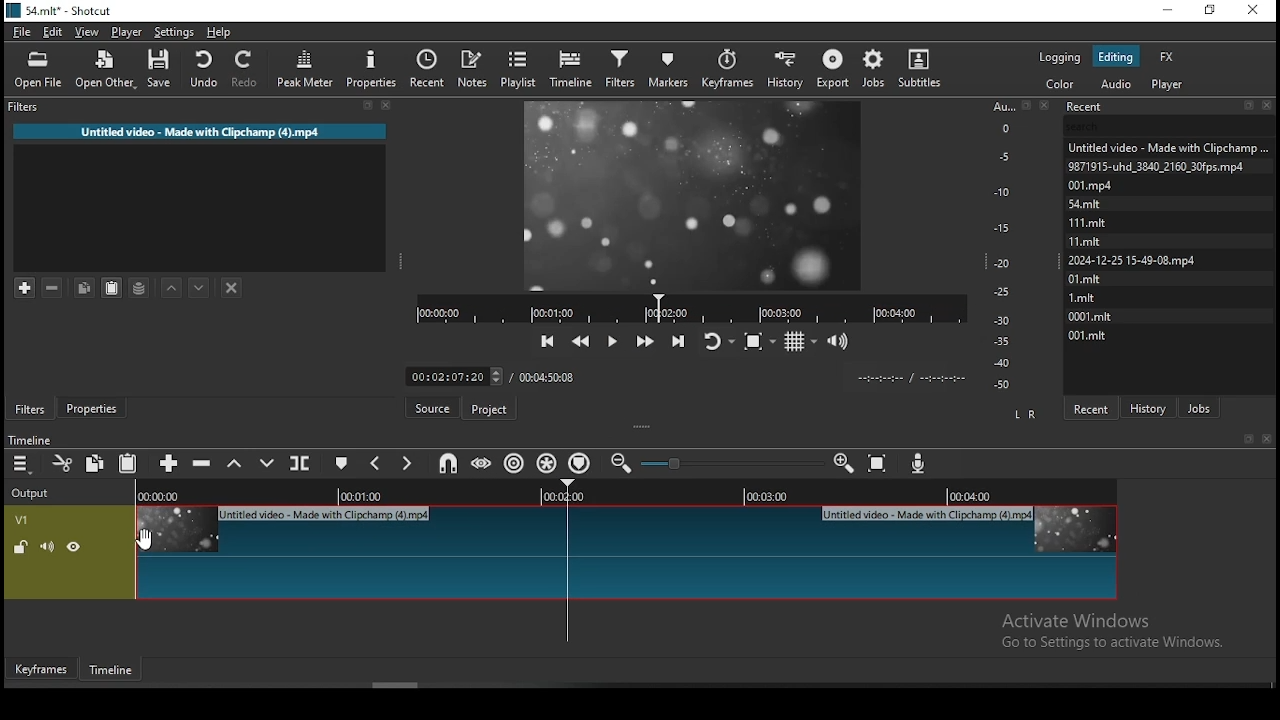 Image resolution: width=1280 pixels, height=720 pixels. I want to click on Recent, so click(1170, 107).